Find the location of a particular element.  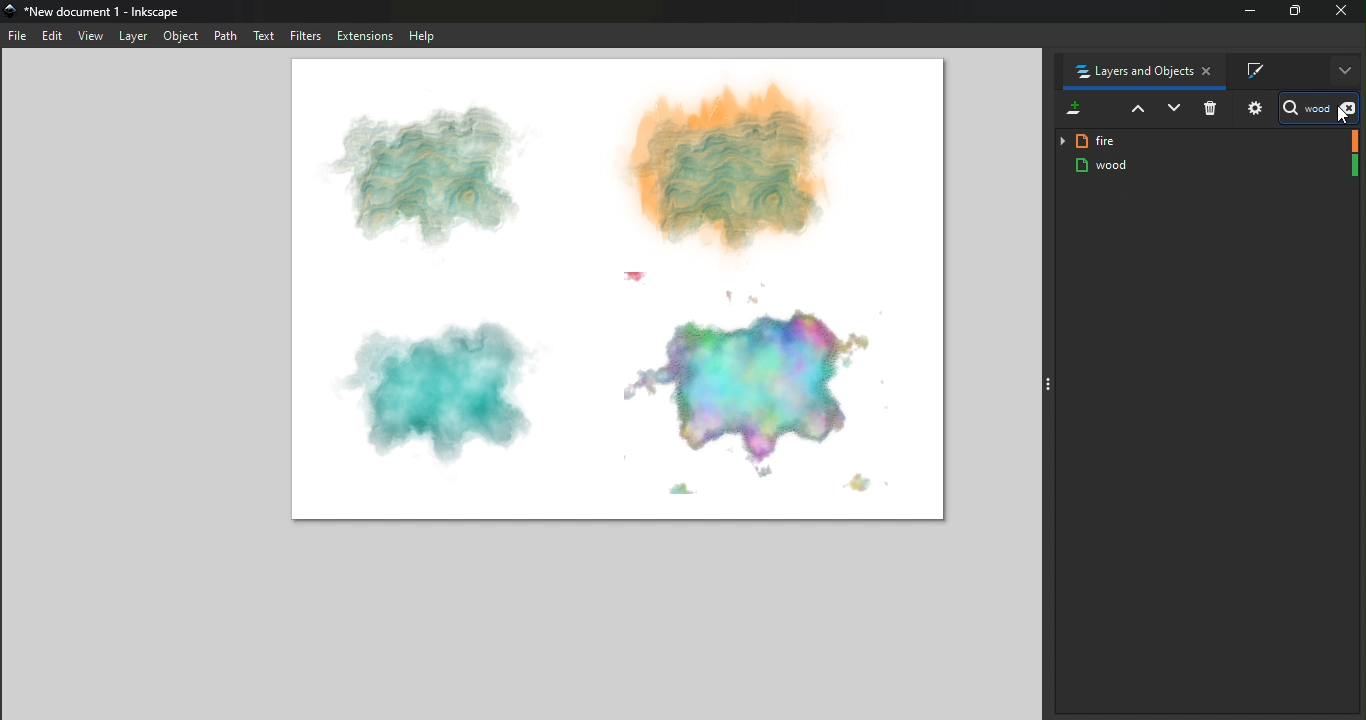

Help is located at coordinates (422, 35).